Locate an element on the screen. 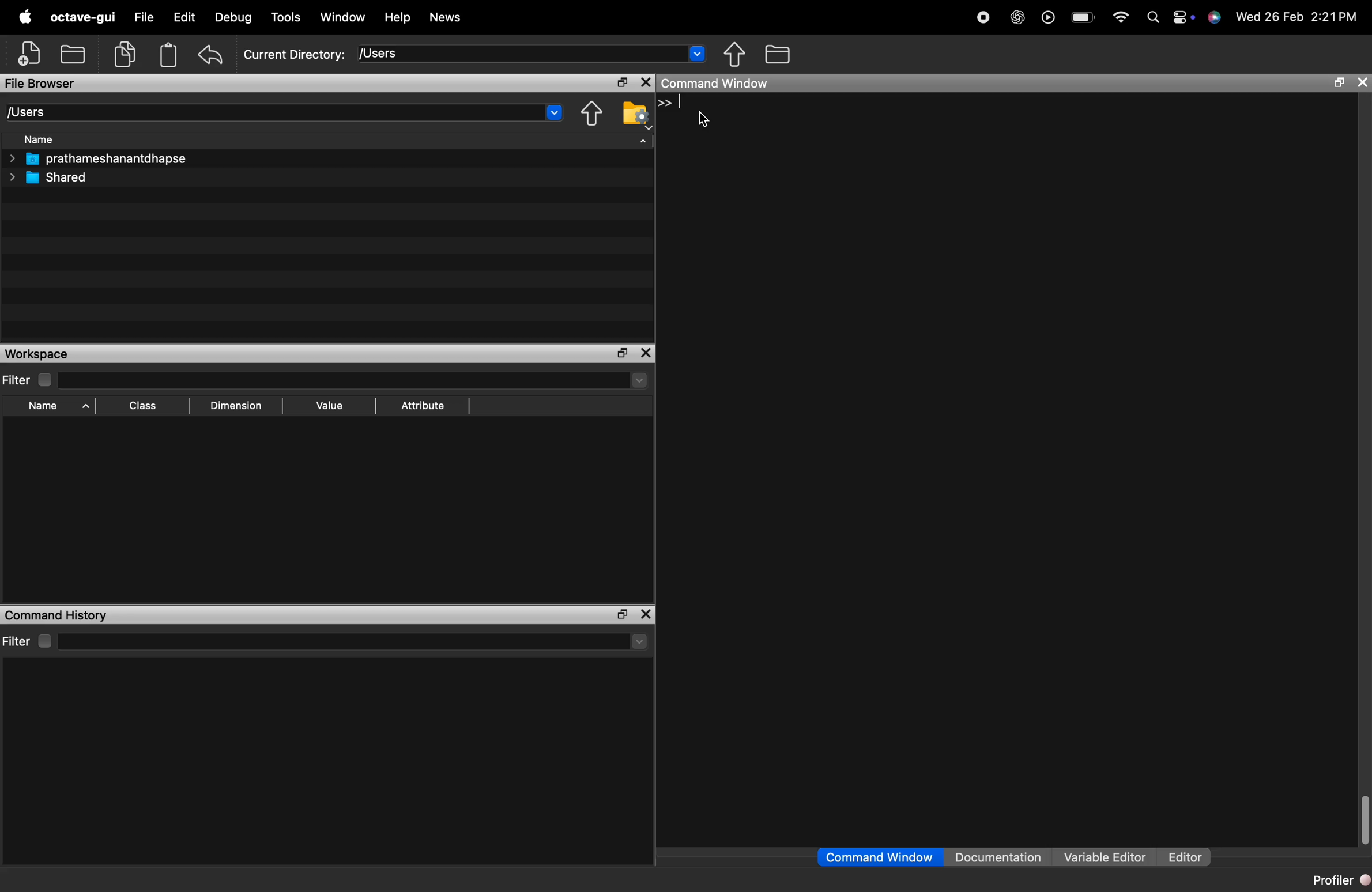  >> | is located at coordinates (673, 103).